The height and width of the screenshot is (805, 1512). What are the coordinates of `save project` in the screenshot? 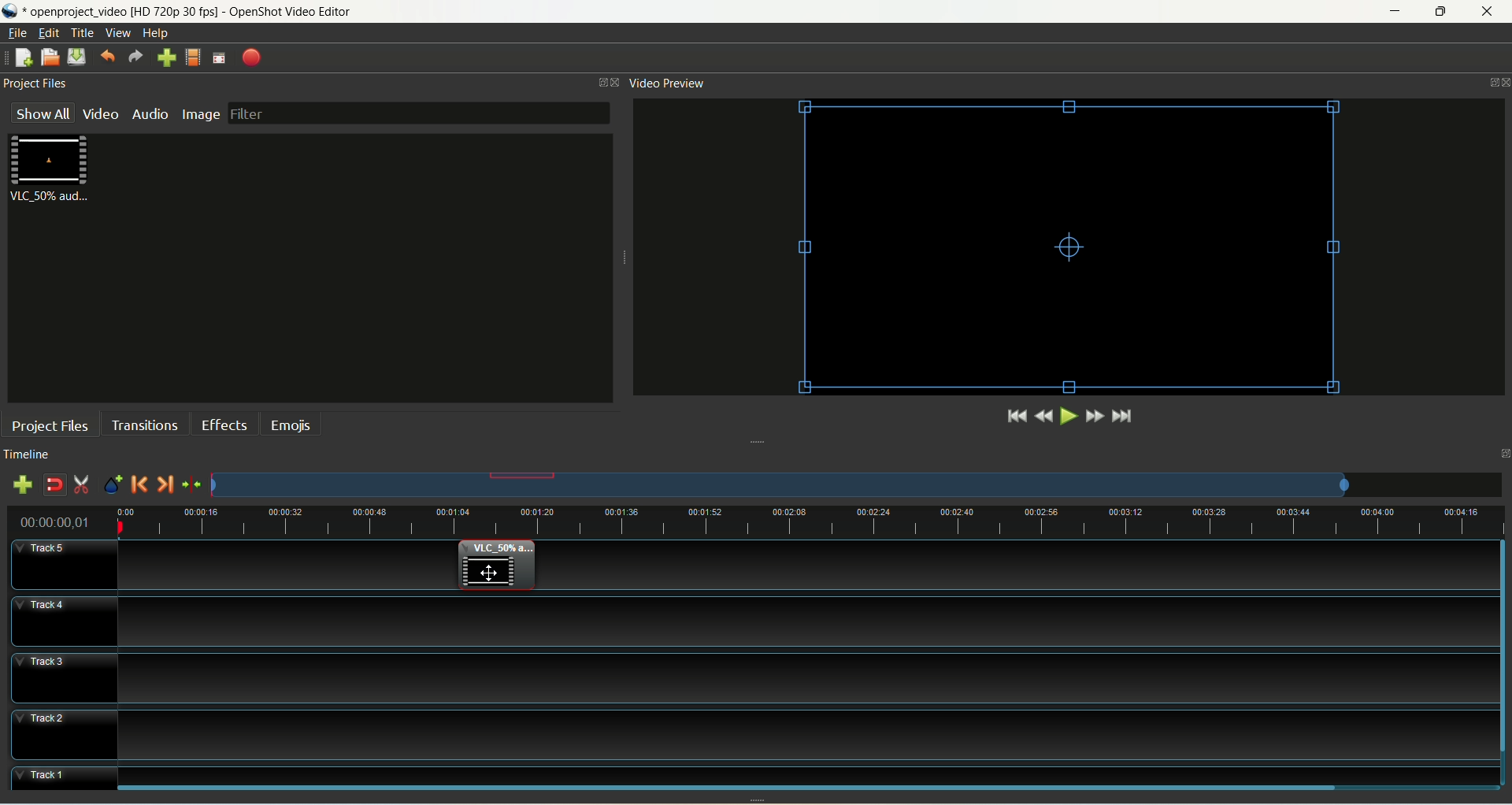 It's located at (77, 57).